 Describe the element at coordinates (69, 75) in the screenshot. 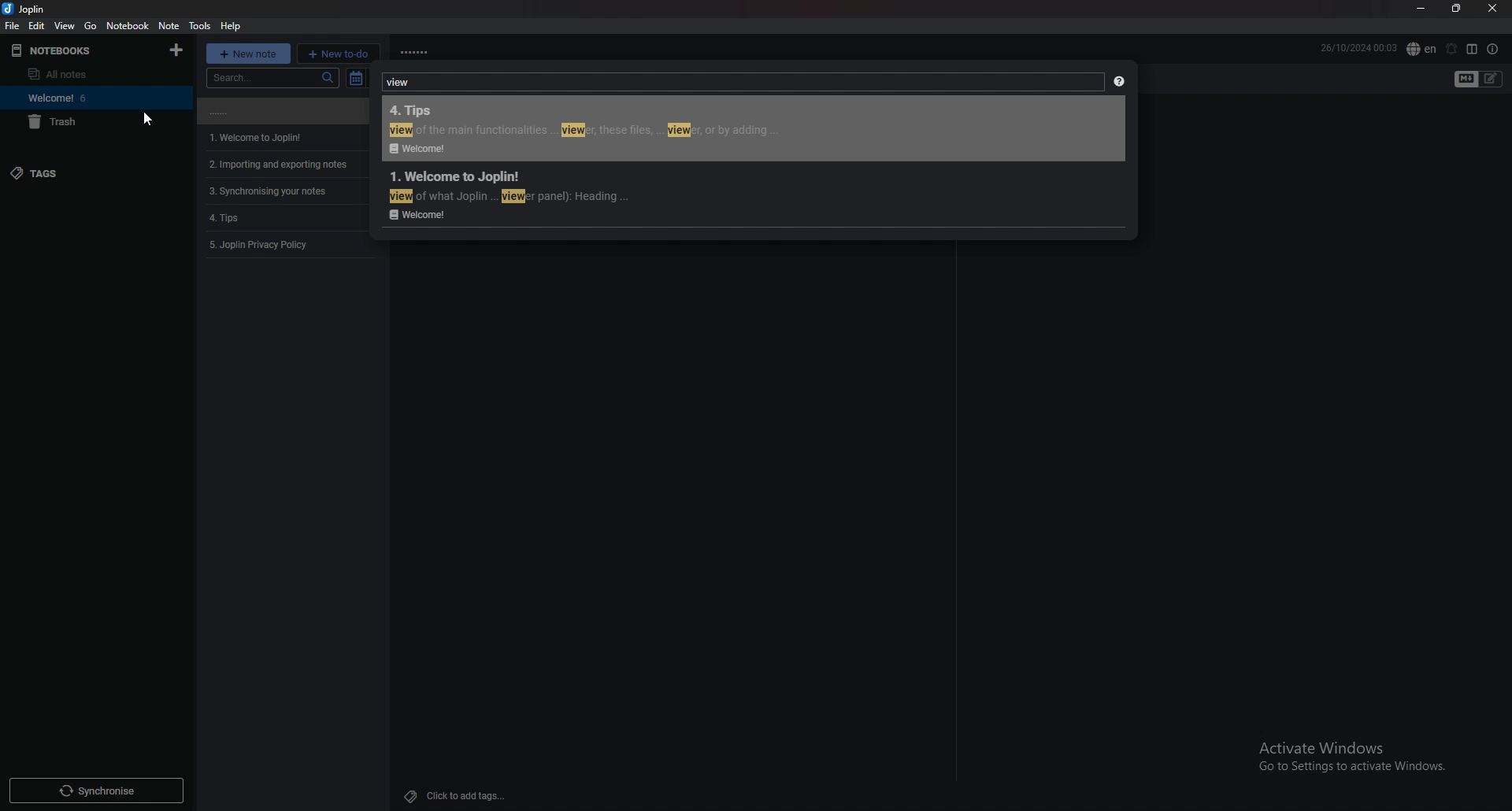

I see `All Notes` at that location.